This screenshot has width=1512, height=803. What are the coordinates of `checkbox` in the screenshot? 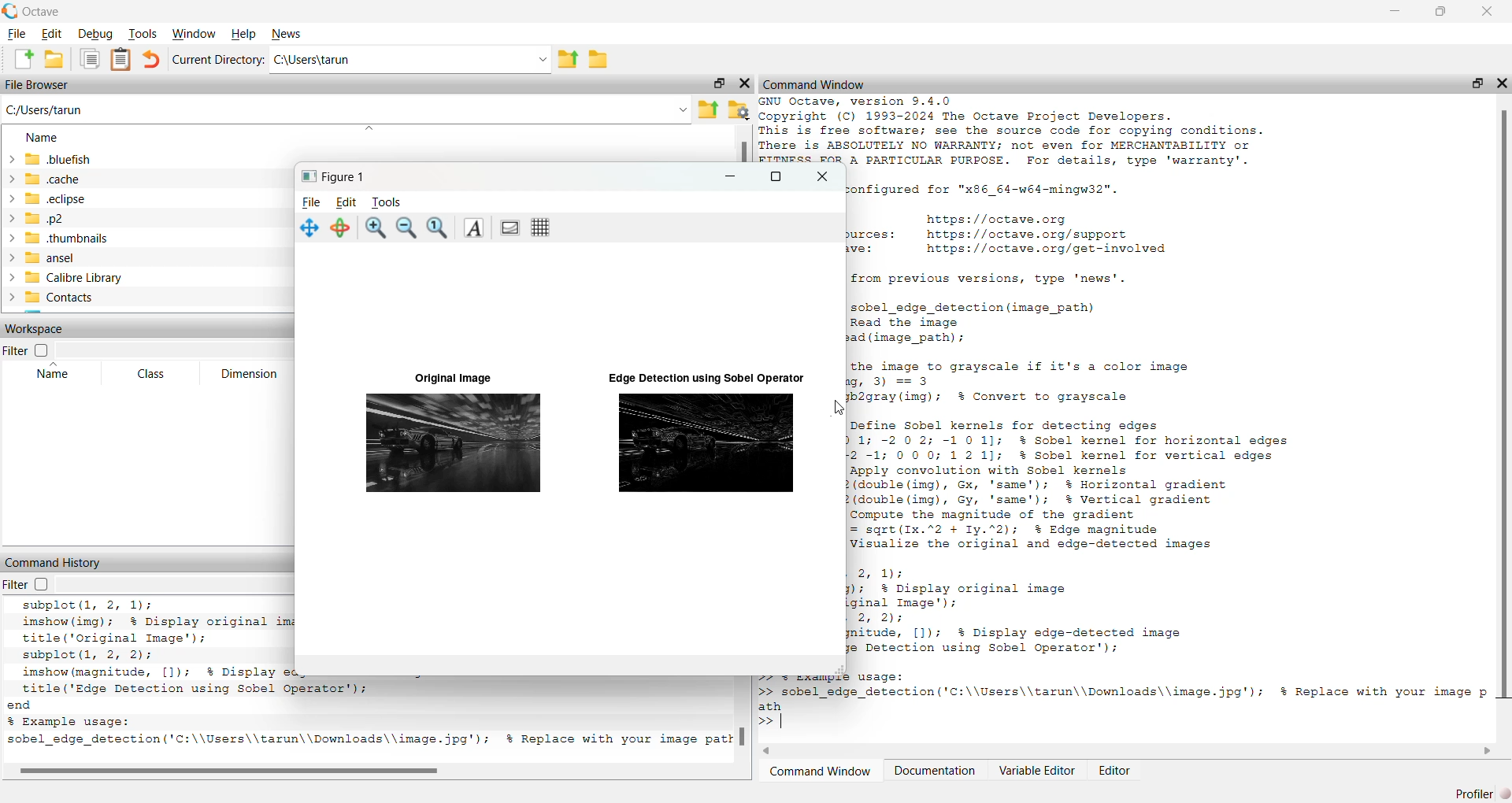 It's located at (44, 585).